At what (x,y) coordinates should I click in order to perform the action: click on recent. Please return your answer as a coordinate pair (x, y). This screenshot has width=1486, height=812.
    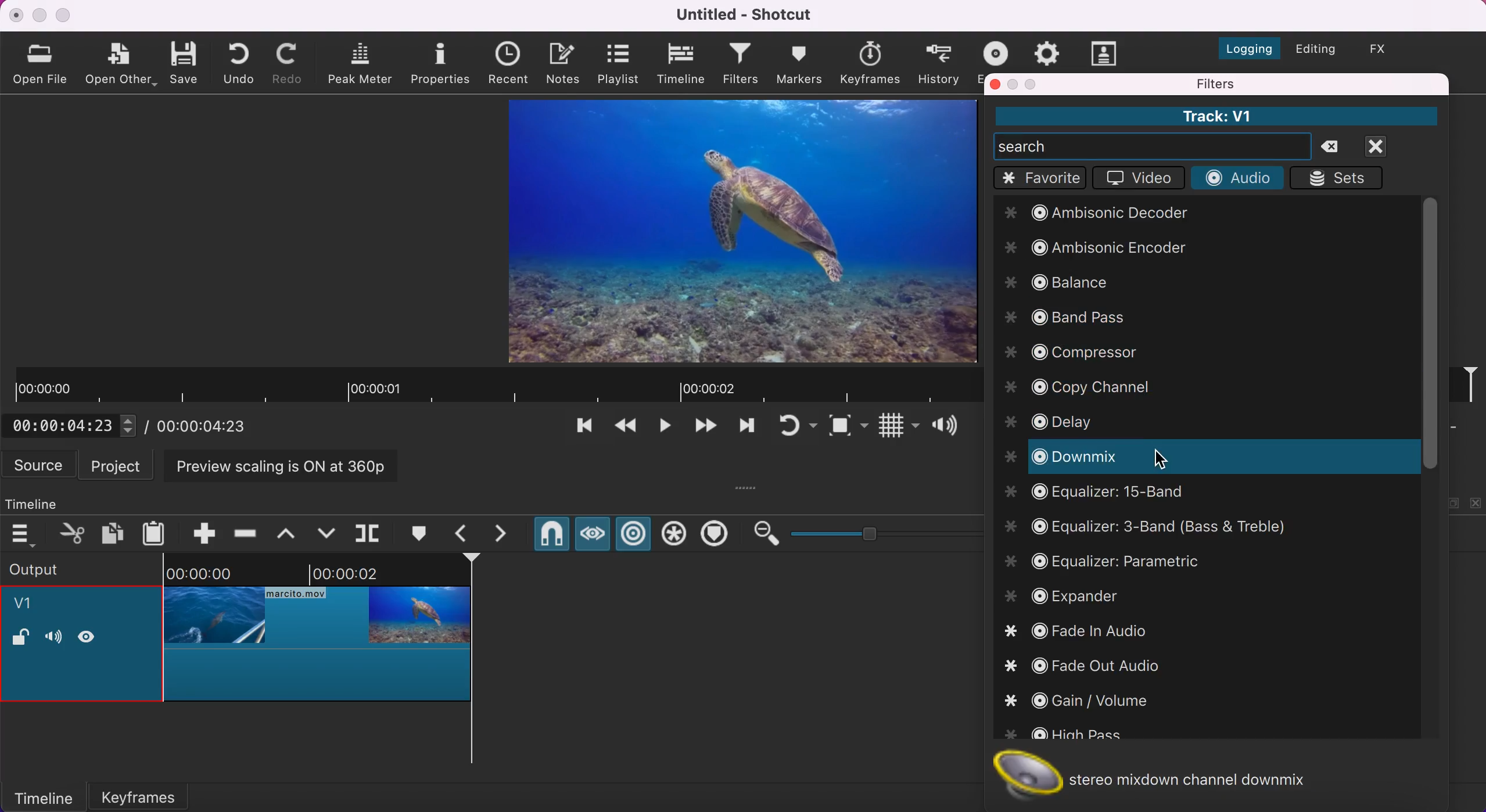
    Looking at the image, I should click on (512, 64).